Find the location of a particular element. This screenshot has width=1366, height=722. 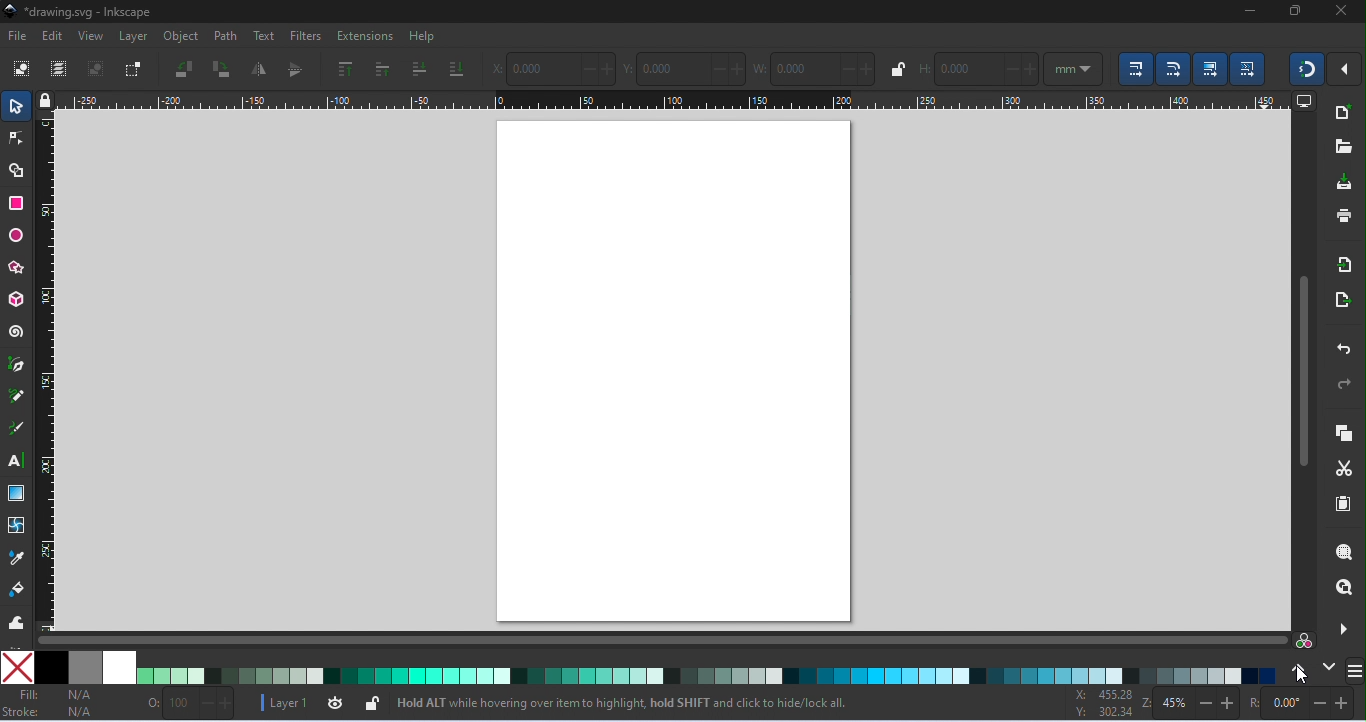

color managed mode is located at coordinates (1302, 638).